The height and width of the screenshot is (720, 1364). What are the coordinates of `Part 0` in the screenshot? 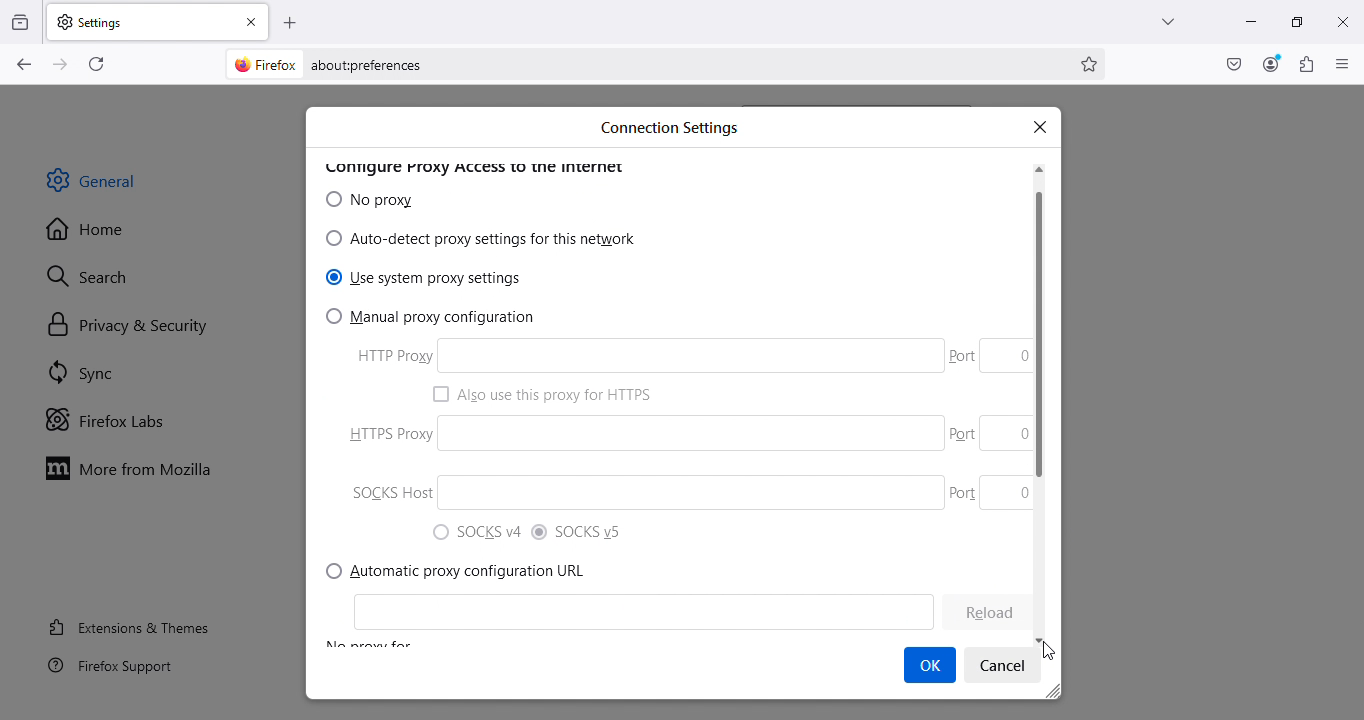 It's located at (981, 432).